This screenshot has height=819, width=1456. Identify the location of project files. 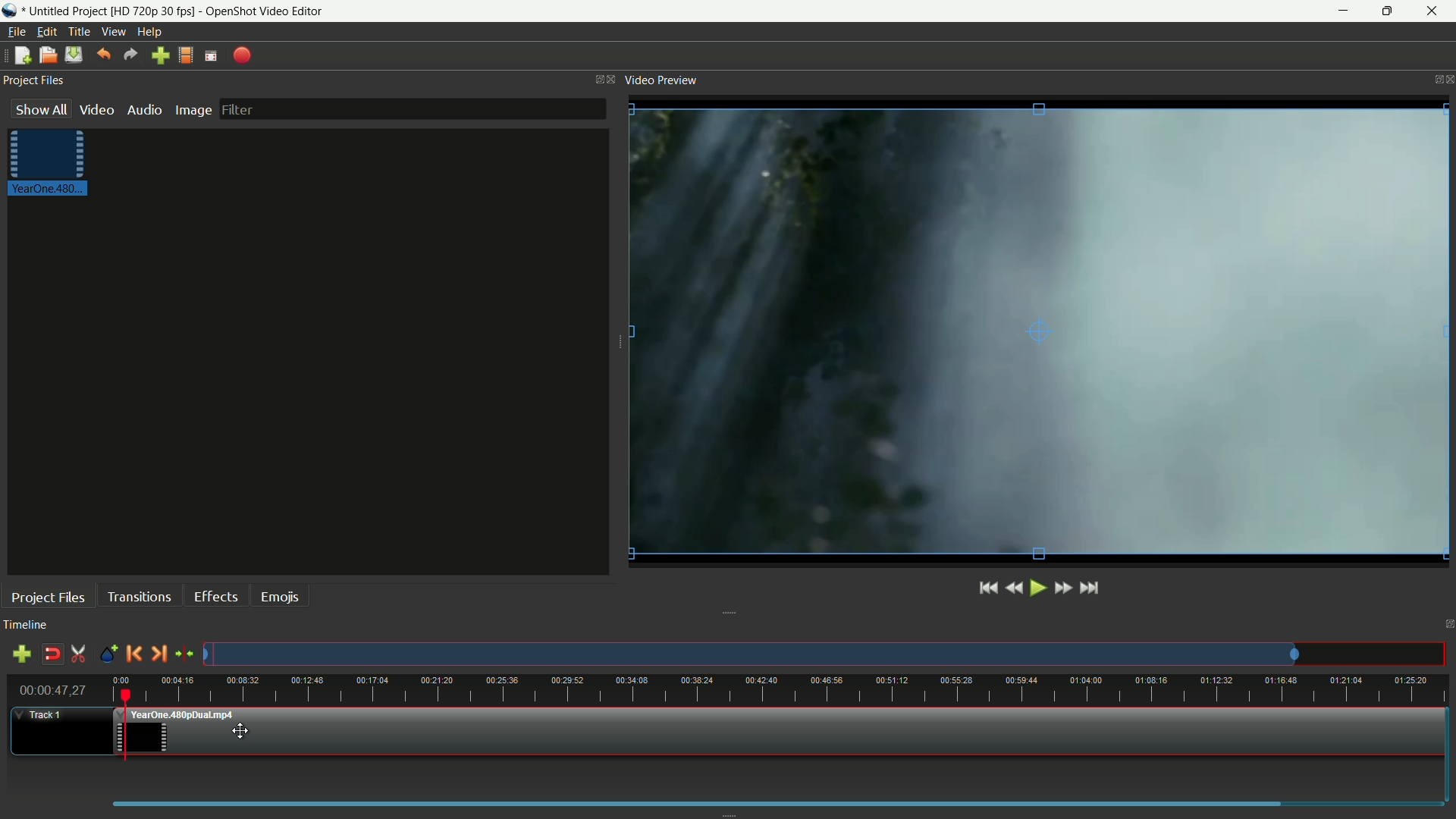
(33, 81).